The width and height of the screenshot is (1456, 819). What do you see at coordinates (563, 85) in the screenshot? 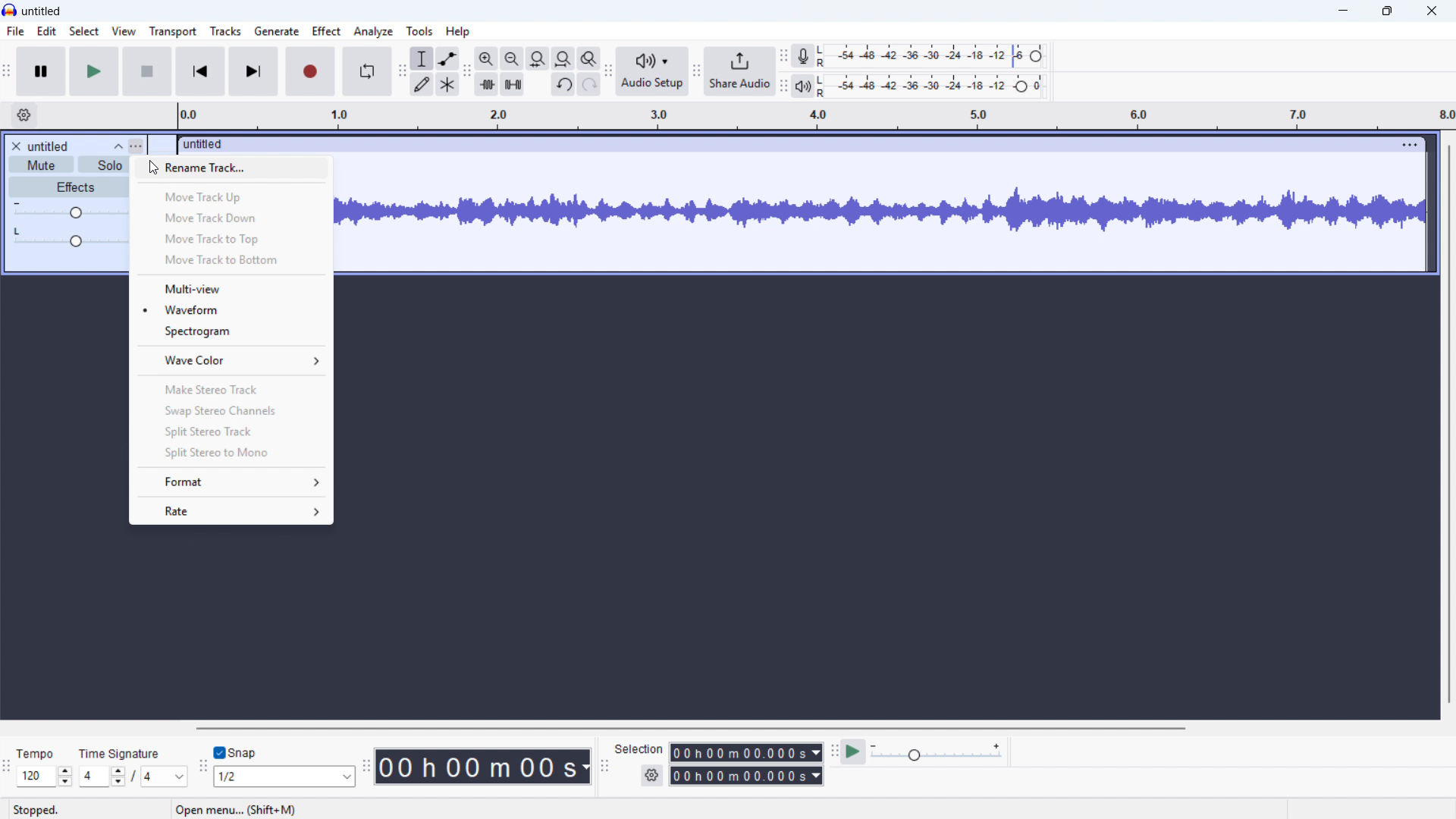
I see `Undo` at bounding box center [563, 85].